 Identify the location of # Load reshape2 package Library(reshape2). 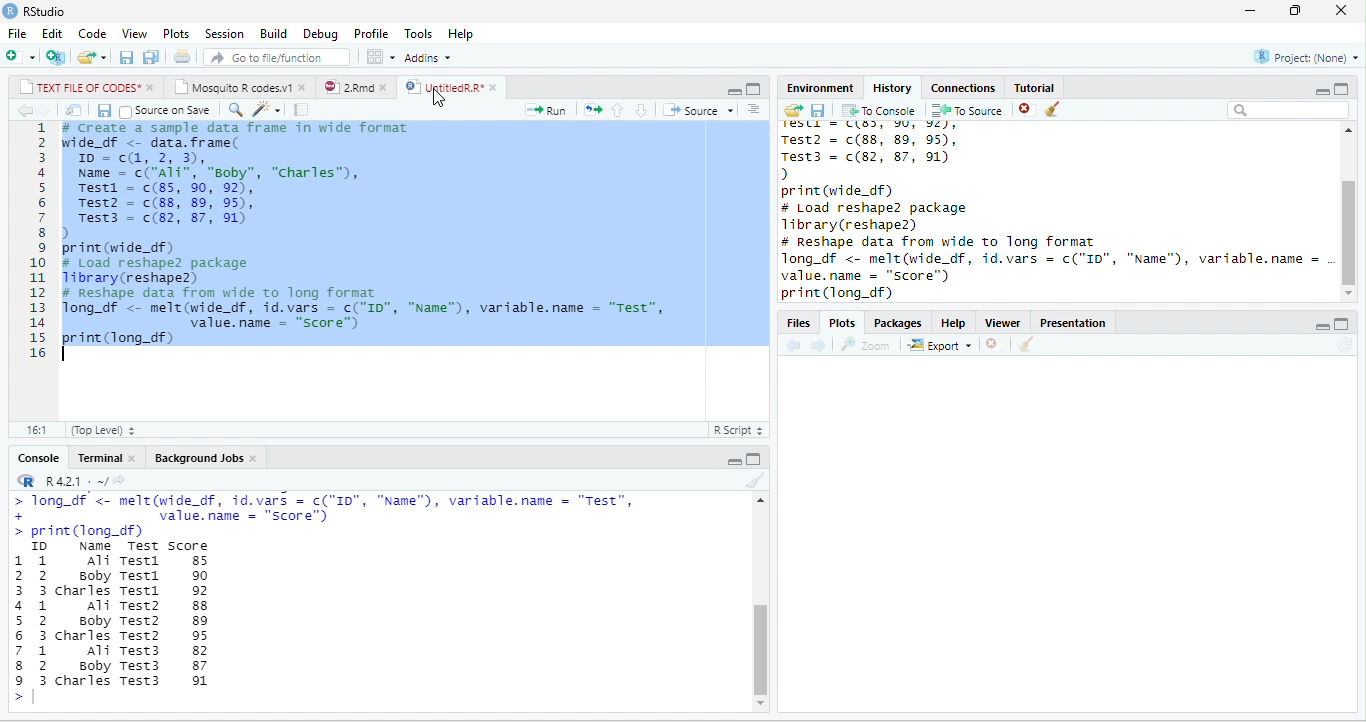
(170, 271).